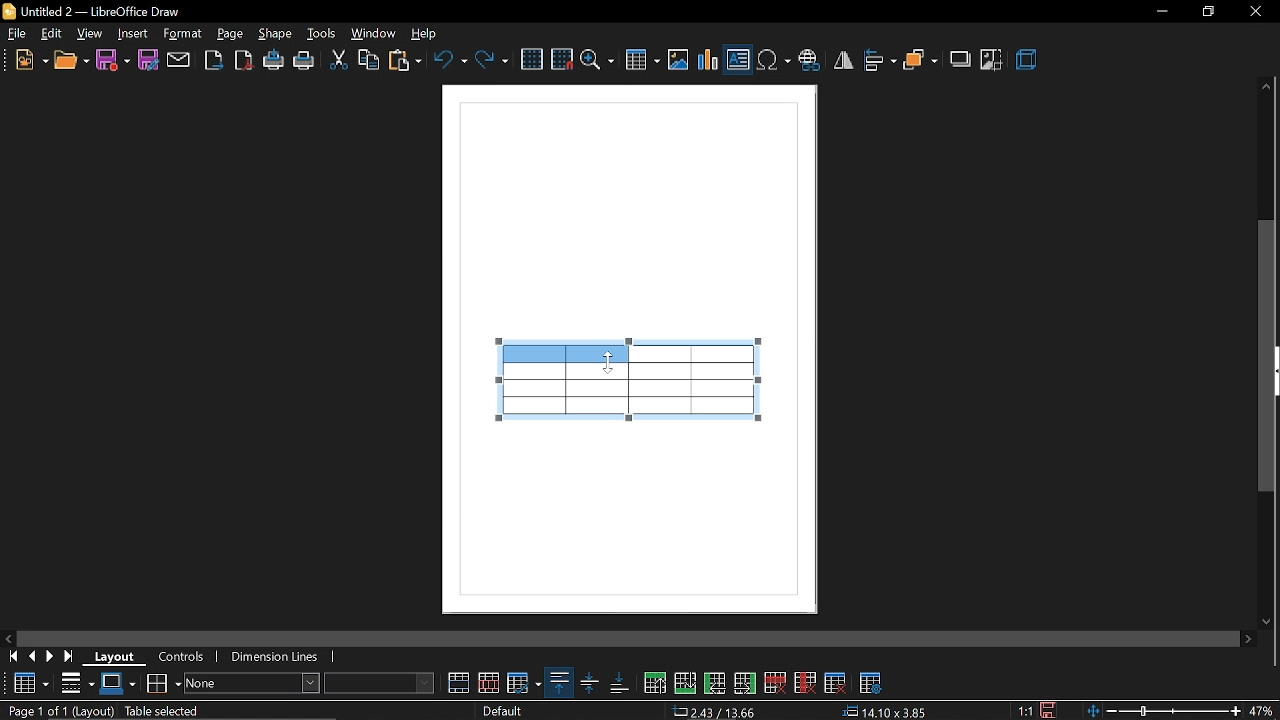  Describe the element at coordinates (775, 682) in the screenshot. I see `delete row` at that location.